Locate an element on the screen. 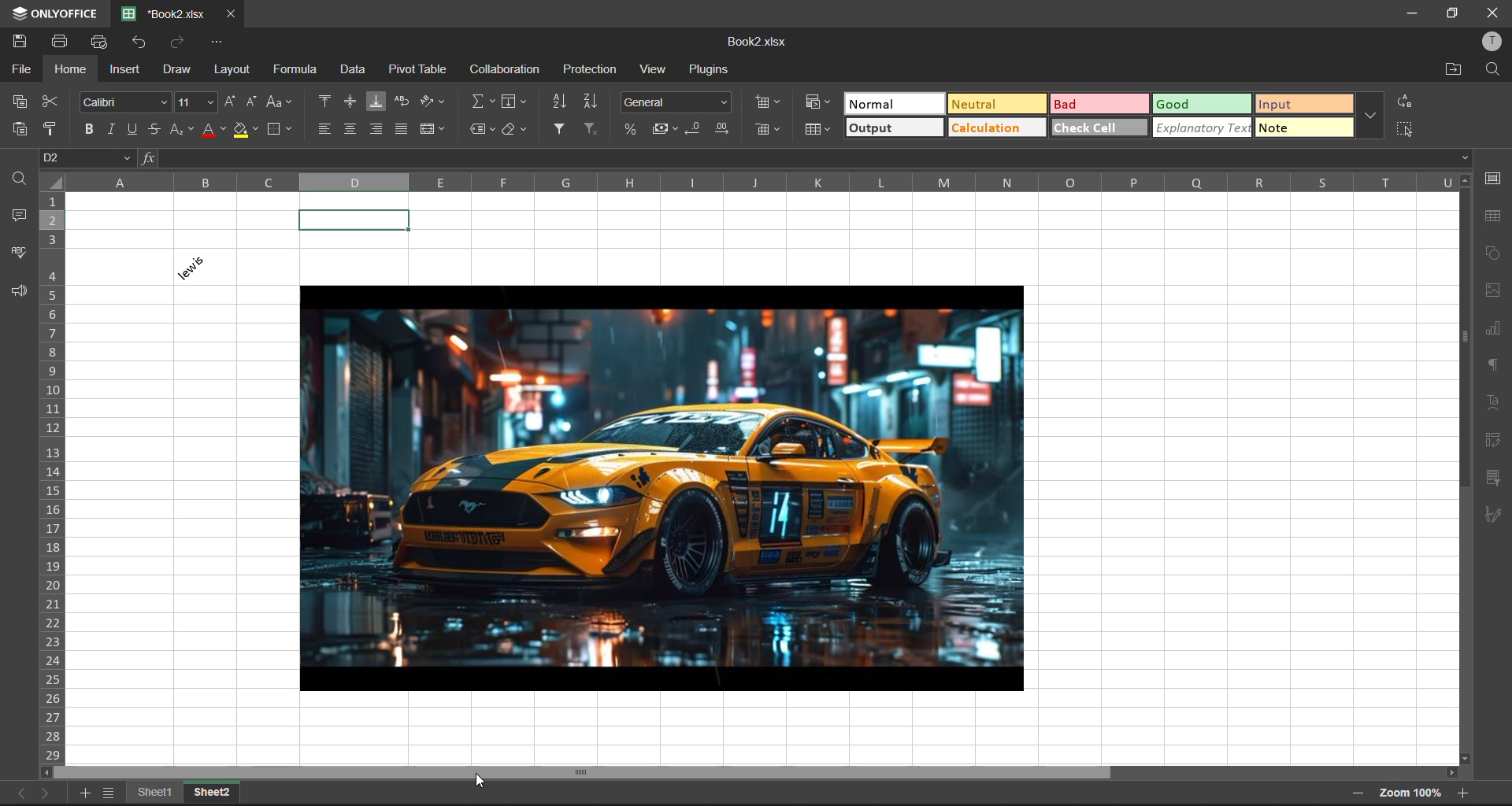 The width and height of the screenshot is (1512, 806). format as table is located at coordinates (816, 131).